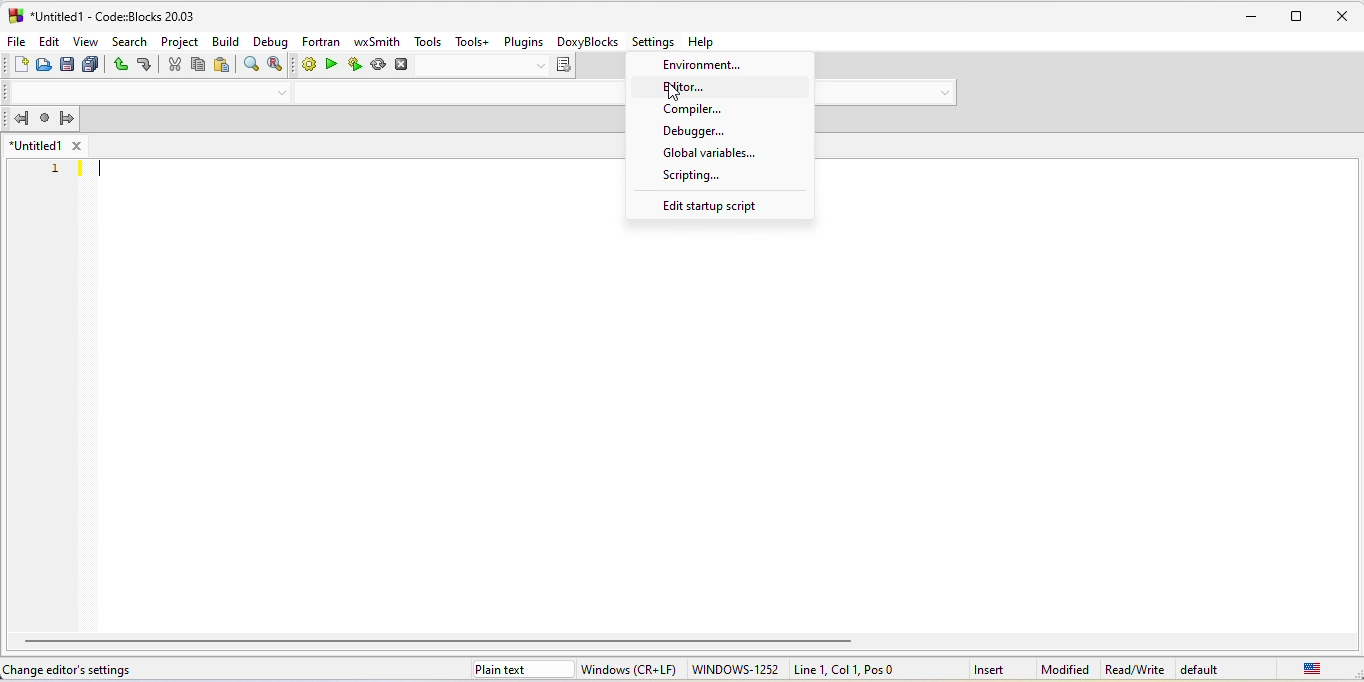 This screenshot has width=1364, height=682. What do you see at coordinates (712, 64) in the screenshot?
I see `environment` at bounding box center [712, 64].